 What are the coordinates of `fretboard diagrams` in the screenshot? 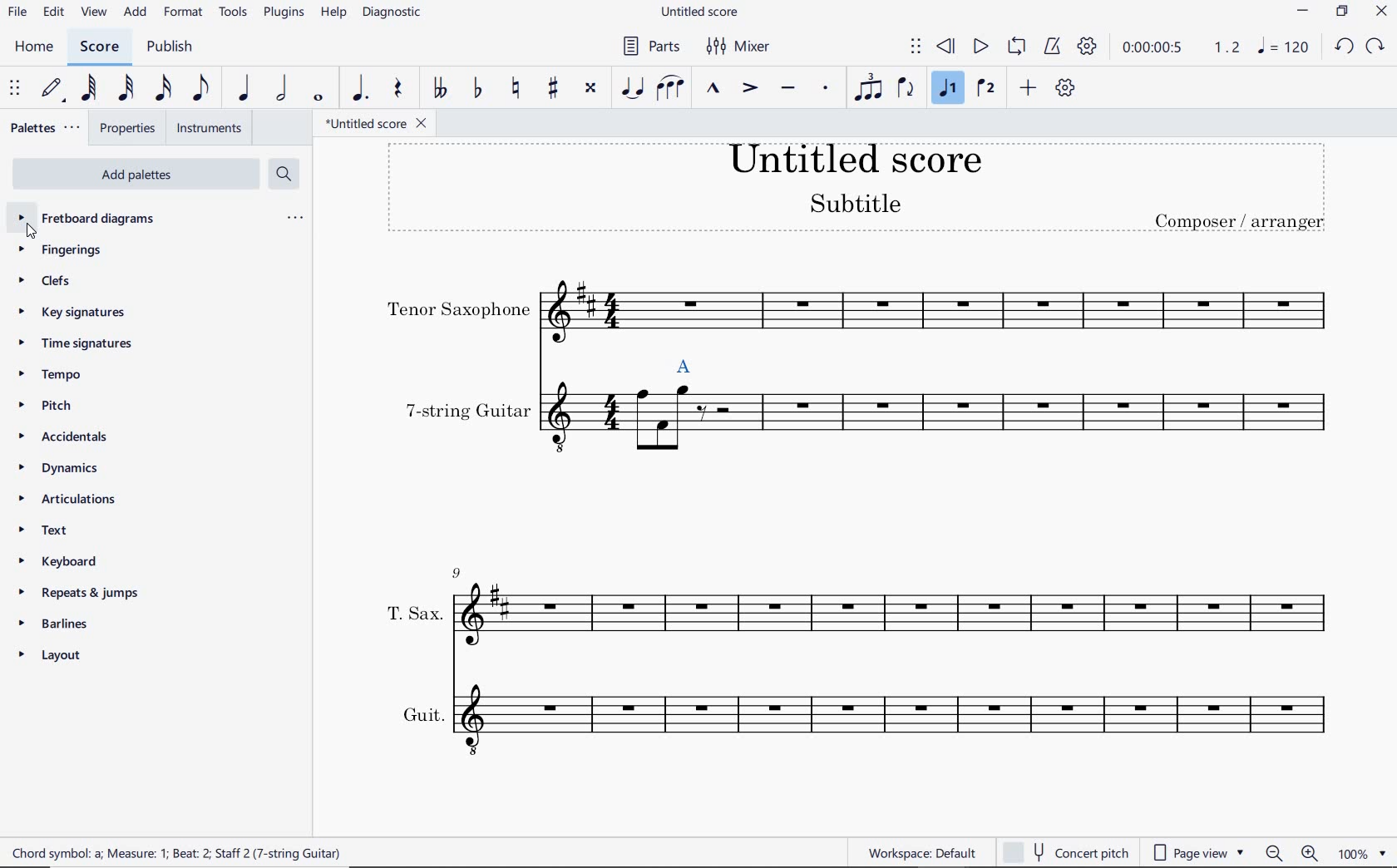 It's located at (101, 219).